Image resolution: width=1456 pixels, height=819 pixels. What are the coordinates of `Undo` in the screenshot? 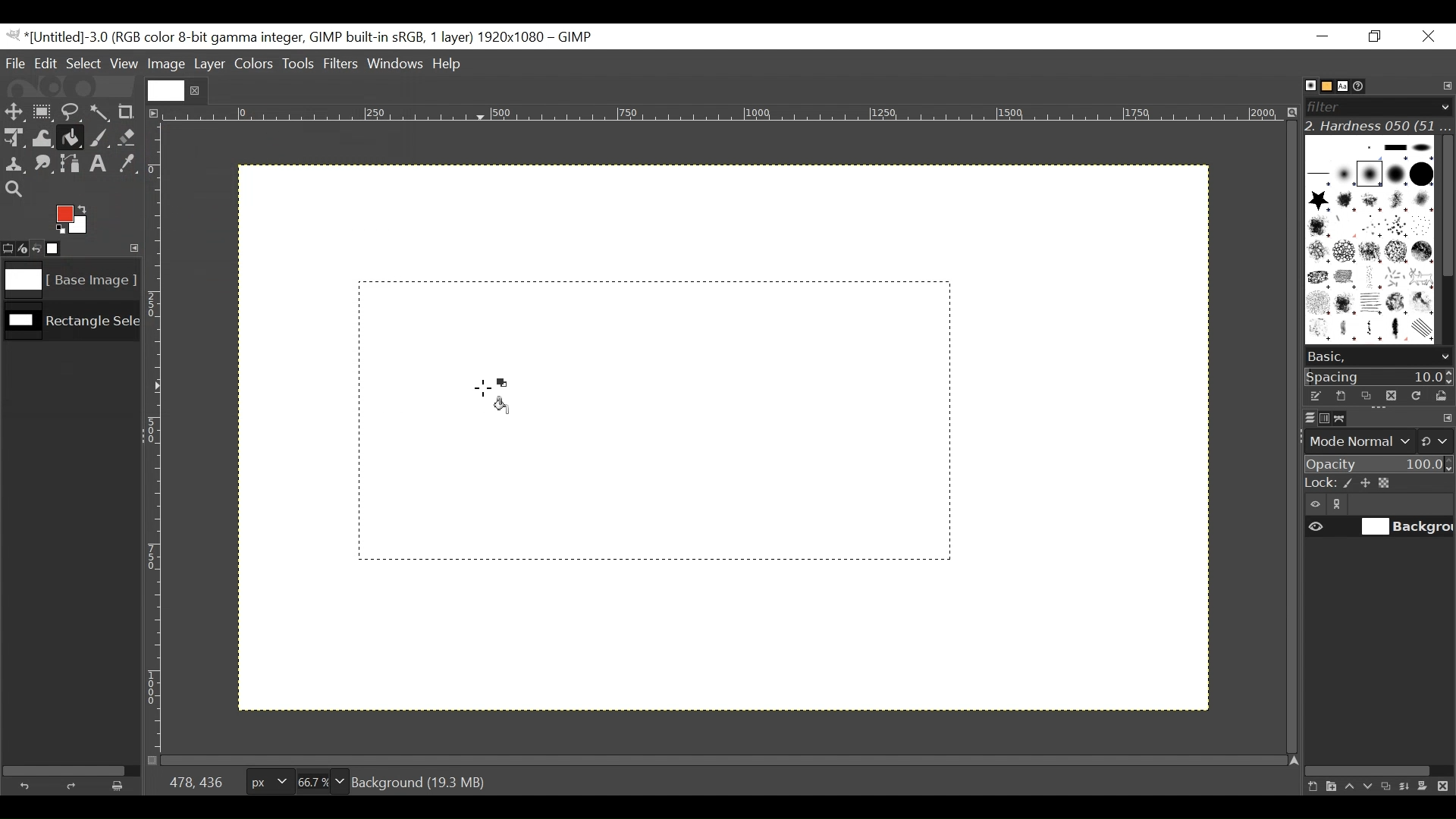 It's located at (28, 784).